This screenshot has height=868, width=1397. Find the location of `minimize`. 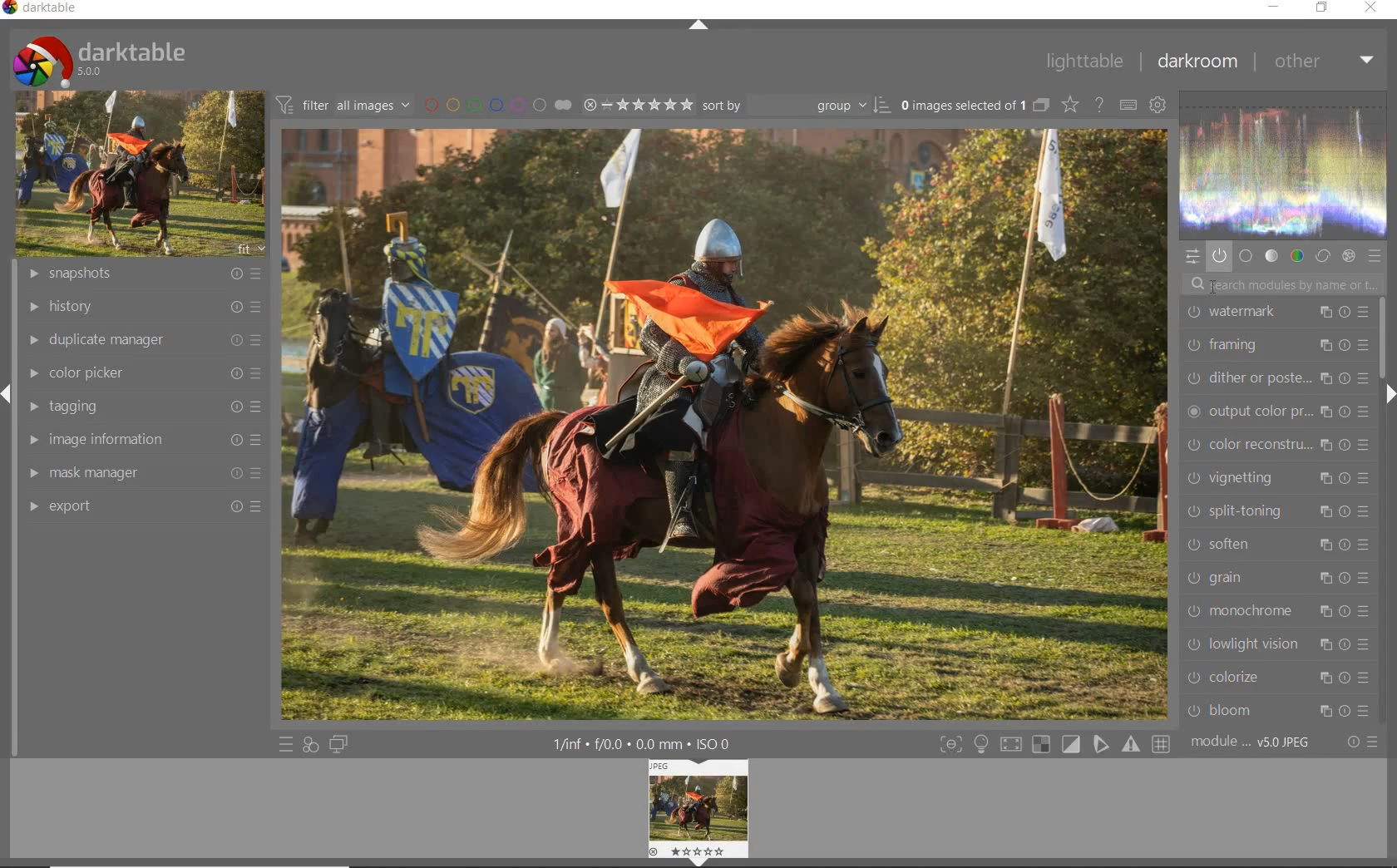

minimize is located at coordinates (1276, 8).